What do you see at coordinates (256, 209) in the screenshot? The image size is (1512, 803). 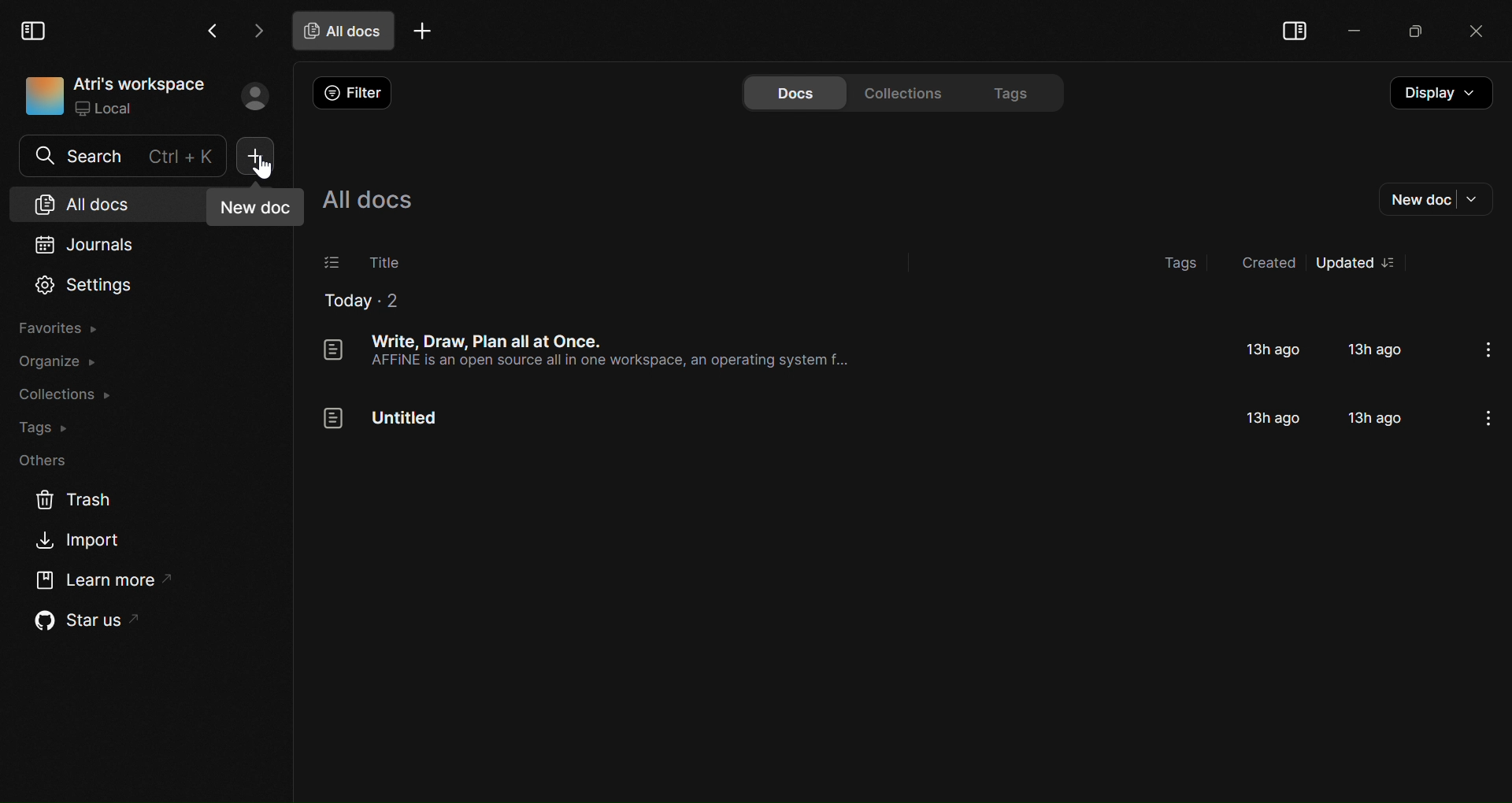 I see `New doc` at bounding box center [256, 209].